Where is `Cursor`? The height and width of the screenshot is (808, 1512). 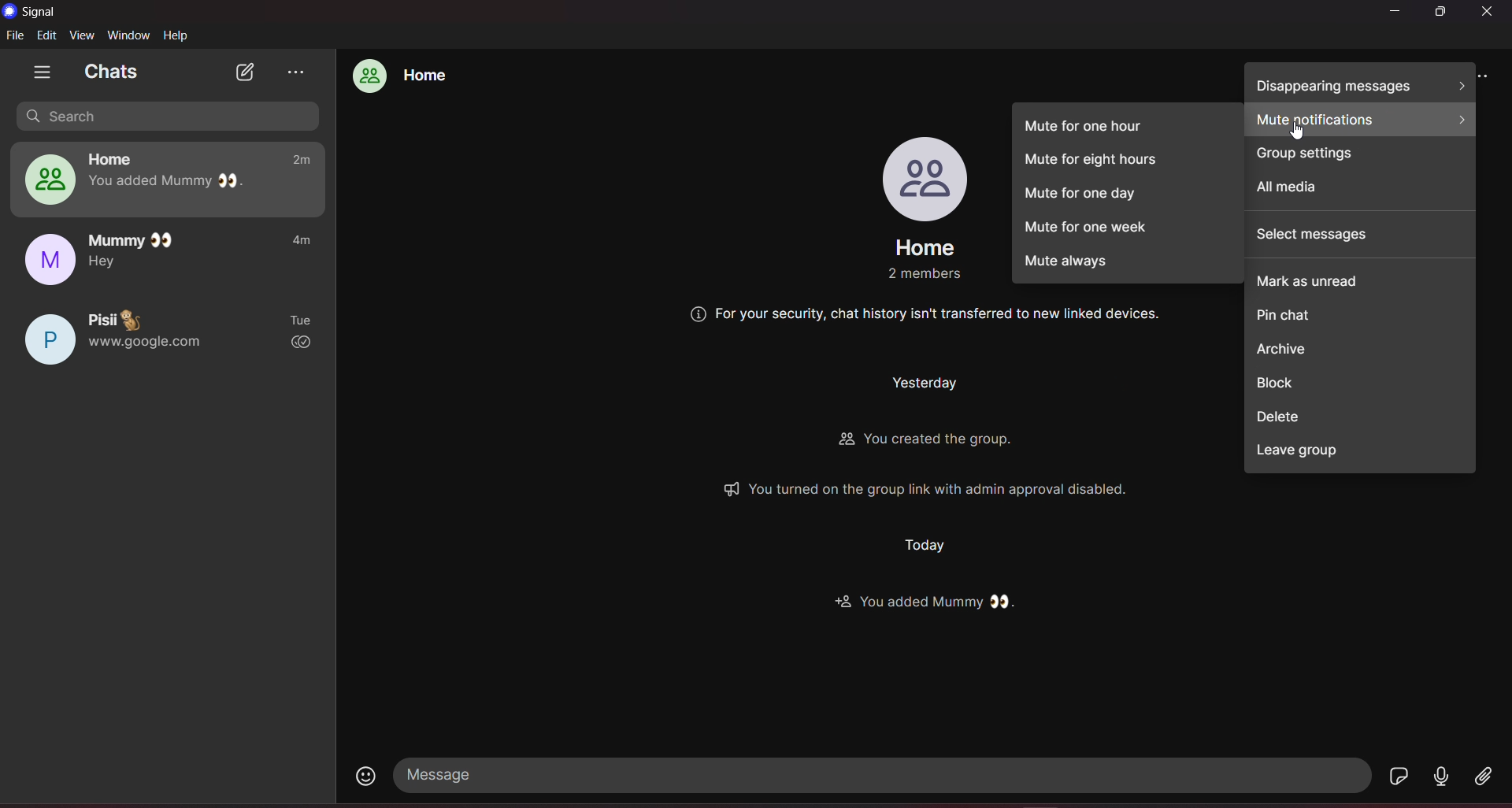
Cursor is located at coordinates (1291, 133).